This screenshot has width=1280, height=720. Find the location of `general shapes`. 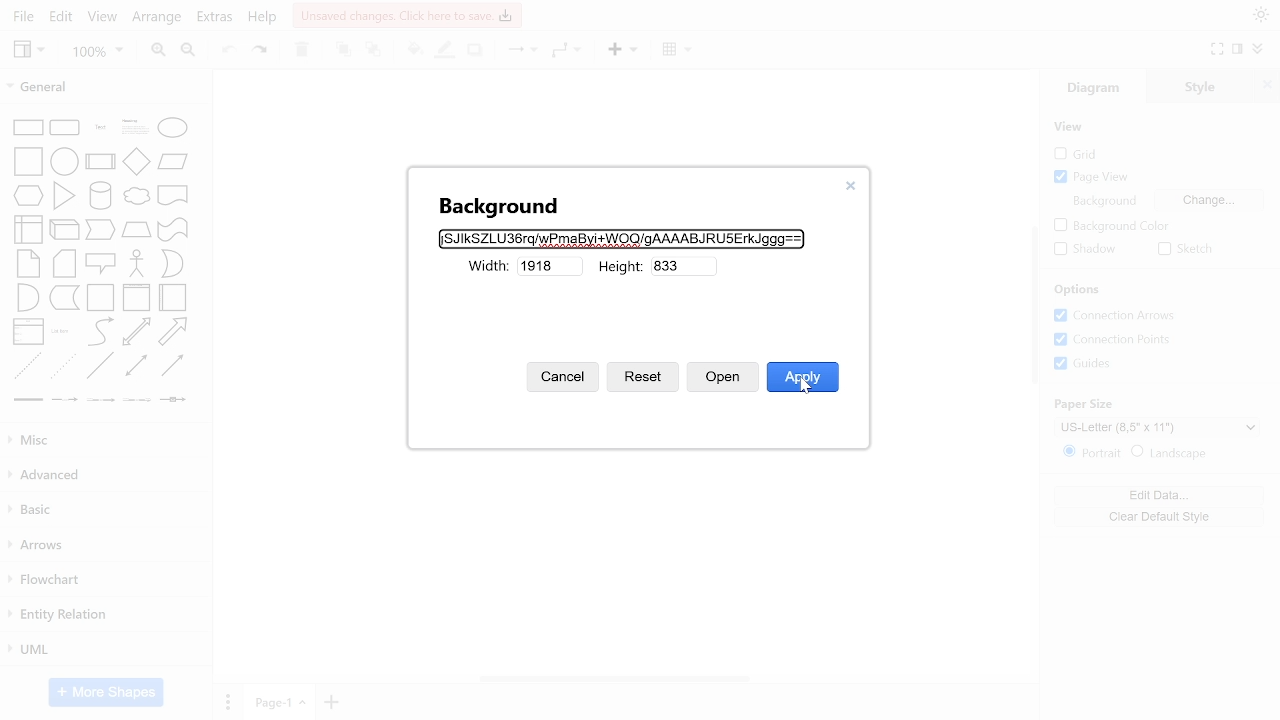

general shapes is located at coordinates (29, 227).